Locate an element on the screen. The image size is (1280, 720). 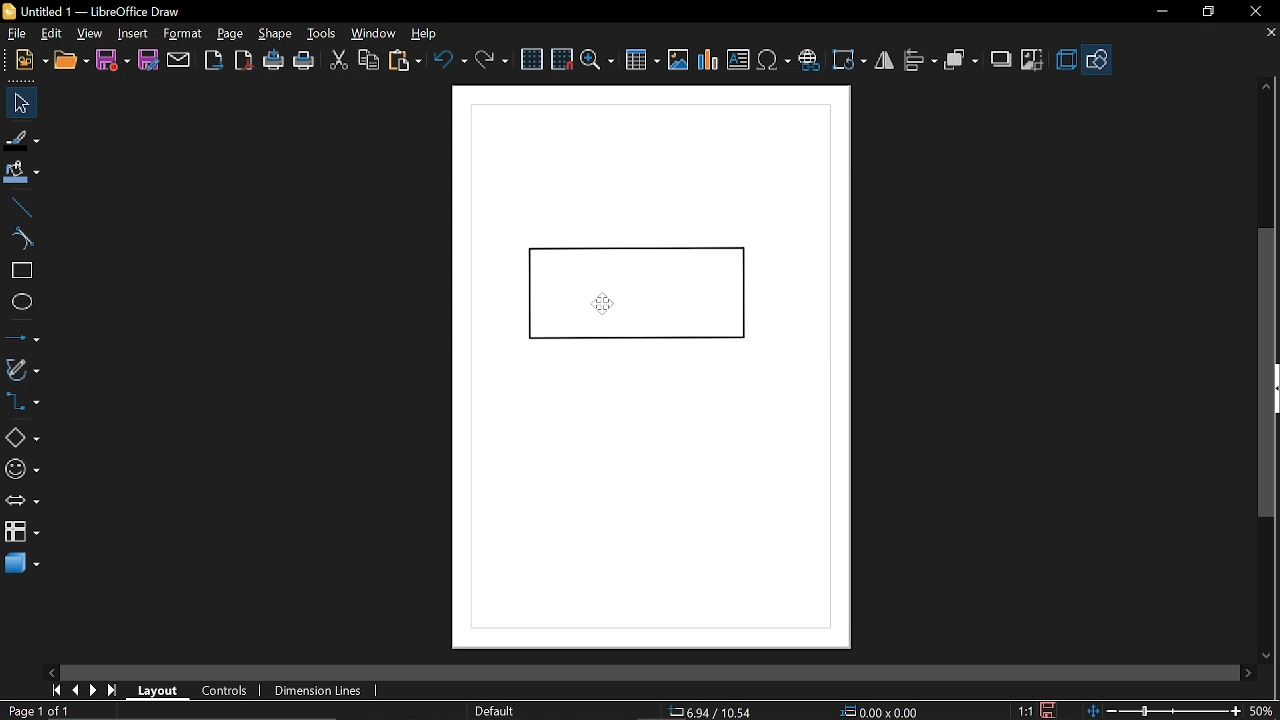
Scaling factor (1:1) is located at coordinates (1026, 711).